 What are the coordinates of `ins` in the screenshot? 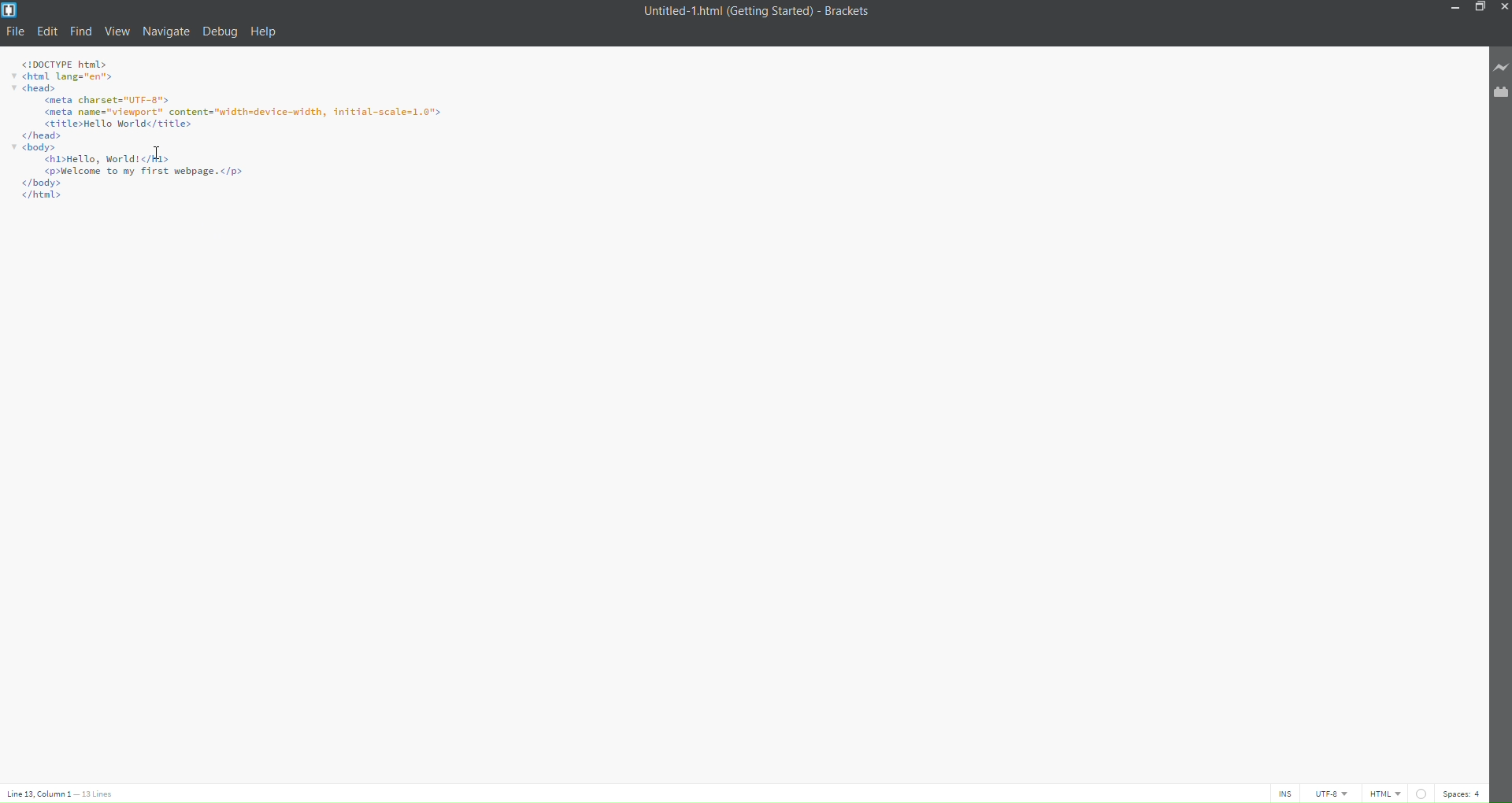 It's located at (1285, 794).